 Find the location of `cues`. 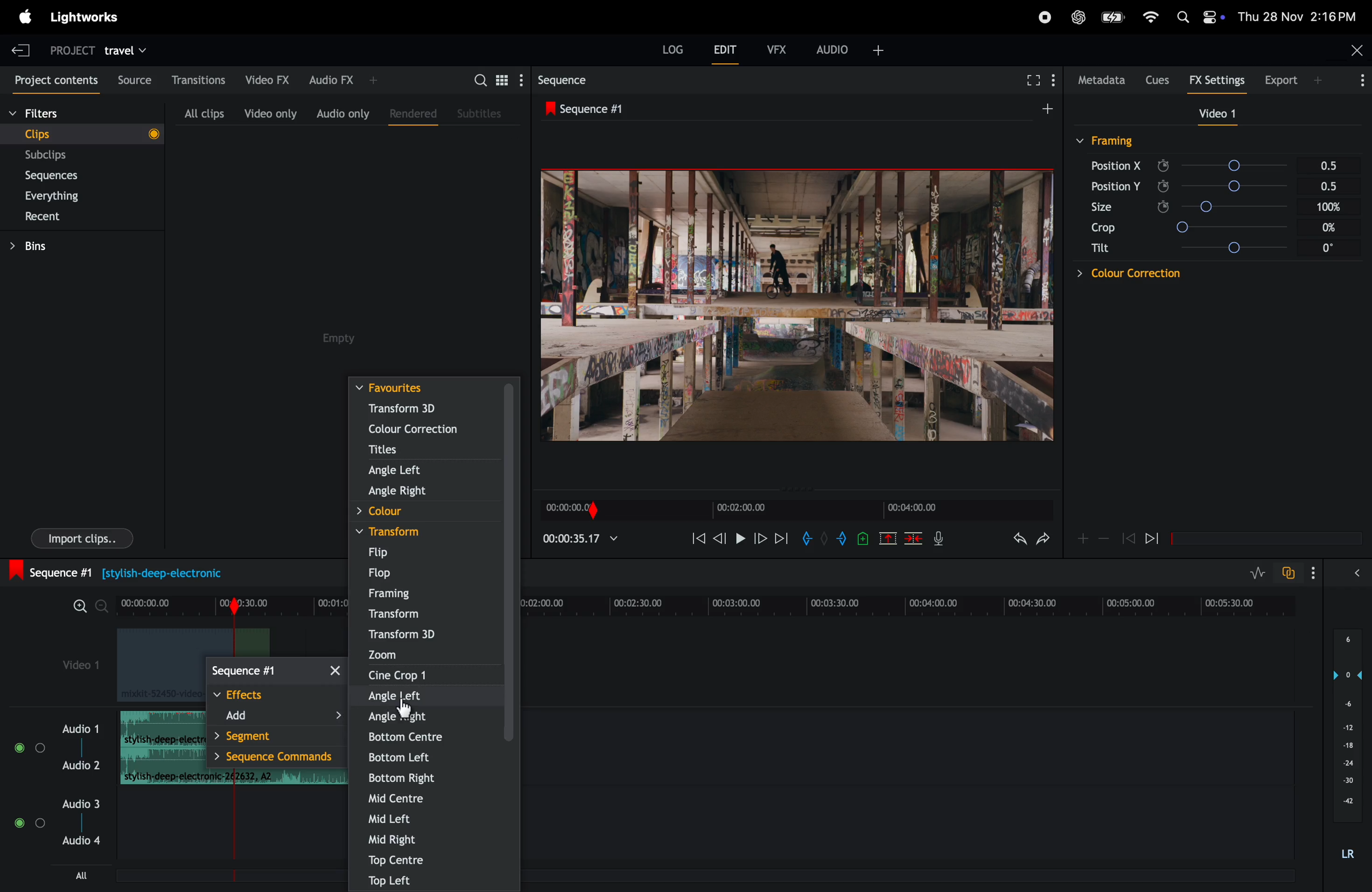

cues is located at coordinates (1157, 78).